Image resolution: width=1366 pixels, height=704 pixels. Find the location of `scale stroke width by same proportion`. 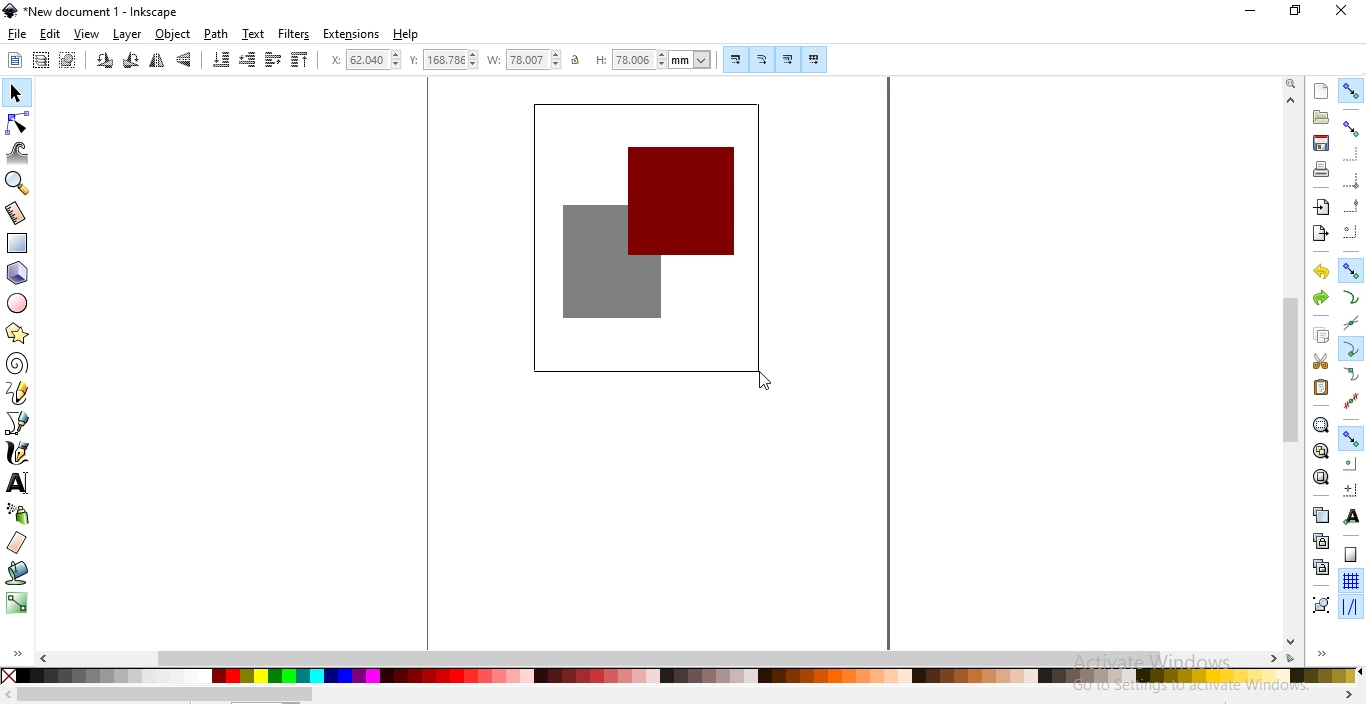

scale stroke width by same proportion is located at coordinates (733, 59).